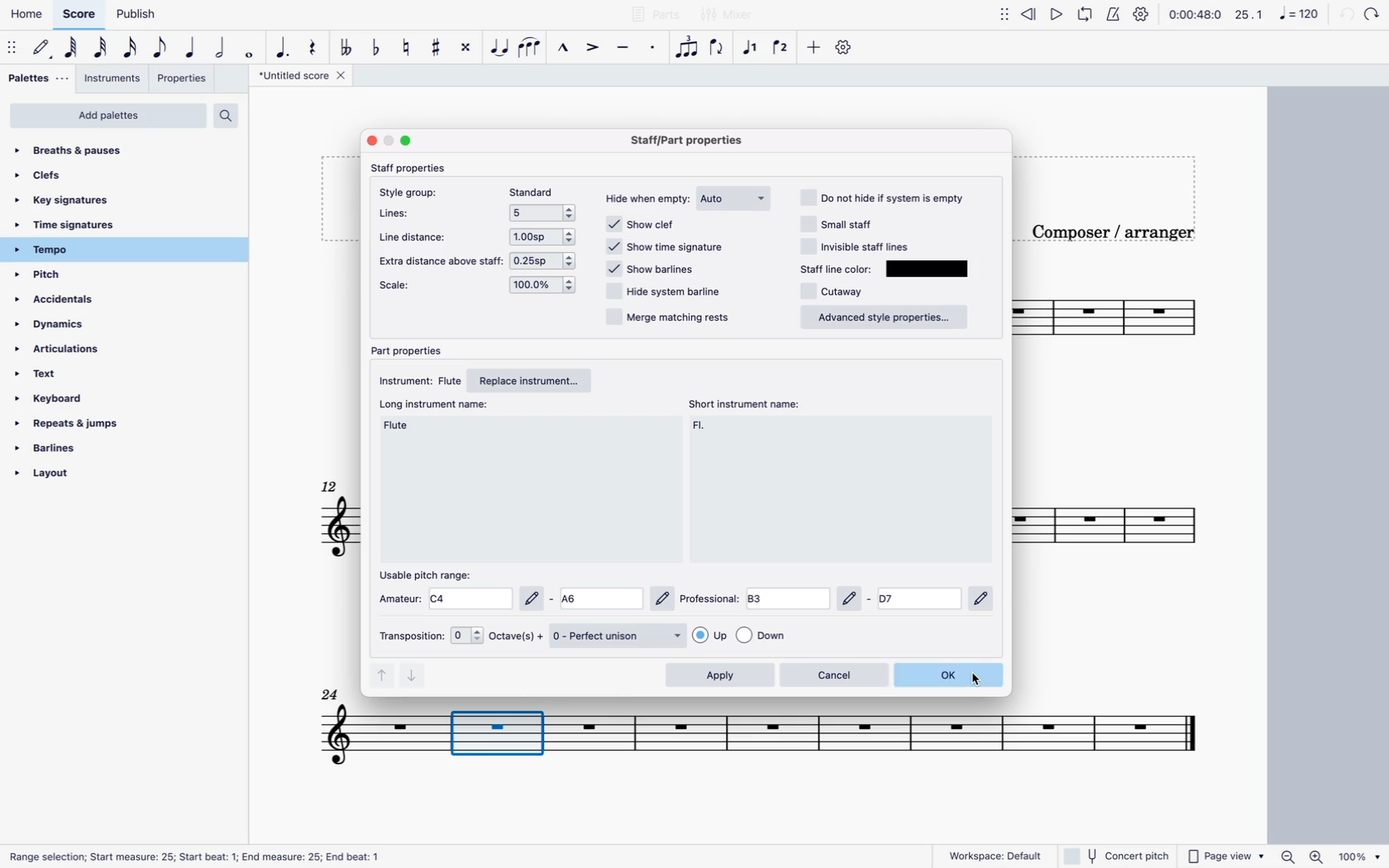  Describe the element at coordinates (781, 49) in the screenshot. I see `voice 2` at that location.